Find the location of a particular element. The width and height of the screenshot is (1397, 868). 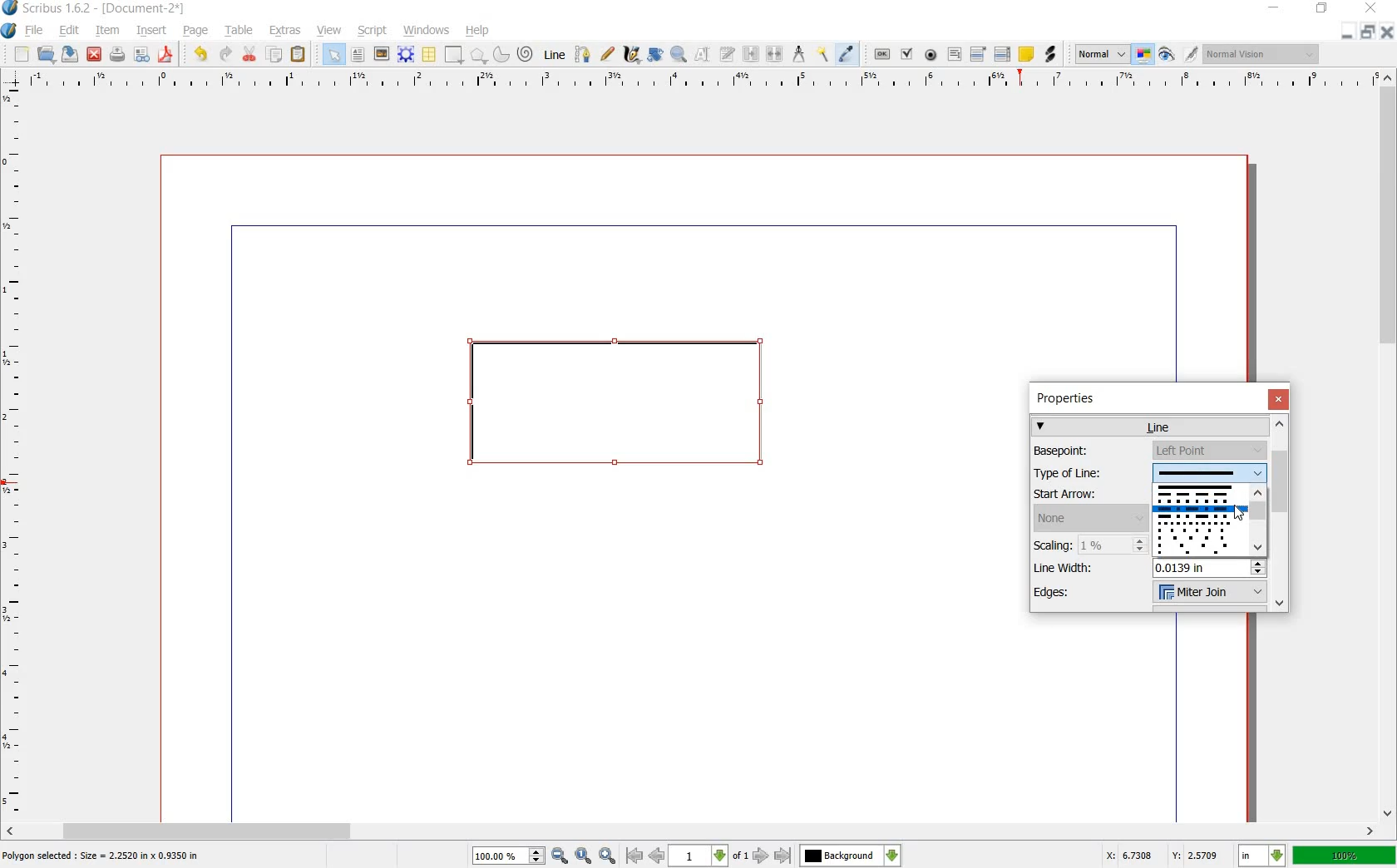

EYE DROPPER is located at coordinates (849, 54).